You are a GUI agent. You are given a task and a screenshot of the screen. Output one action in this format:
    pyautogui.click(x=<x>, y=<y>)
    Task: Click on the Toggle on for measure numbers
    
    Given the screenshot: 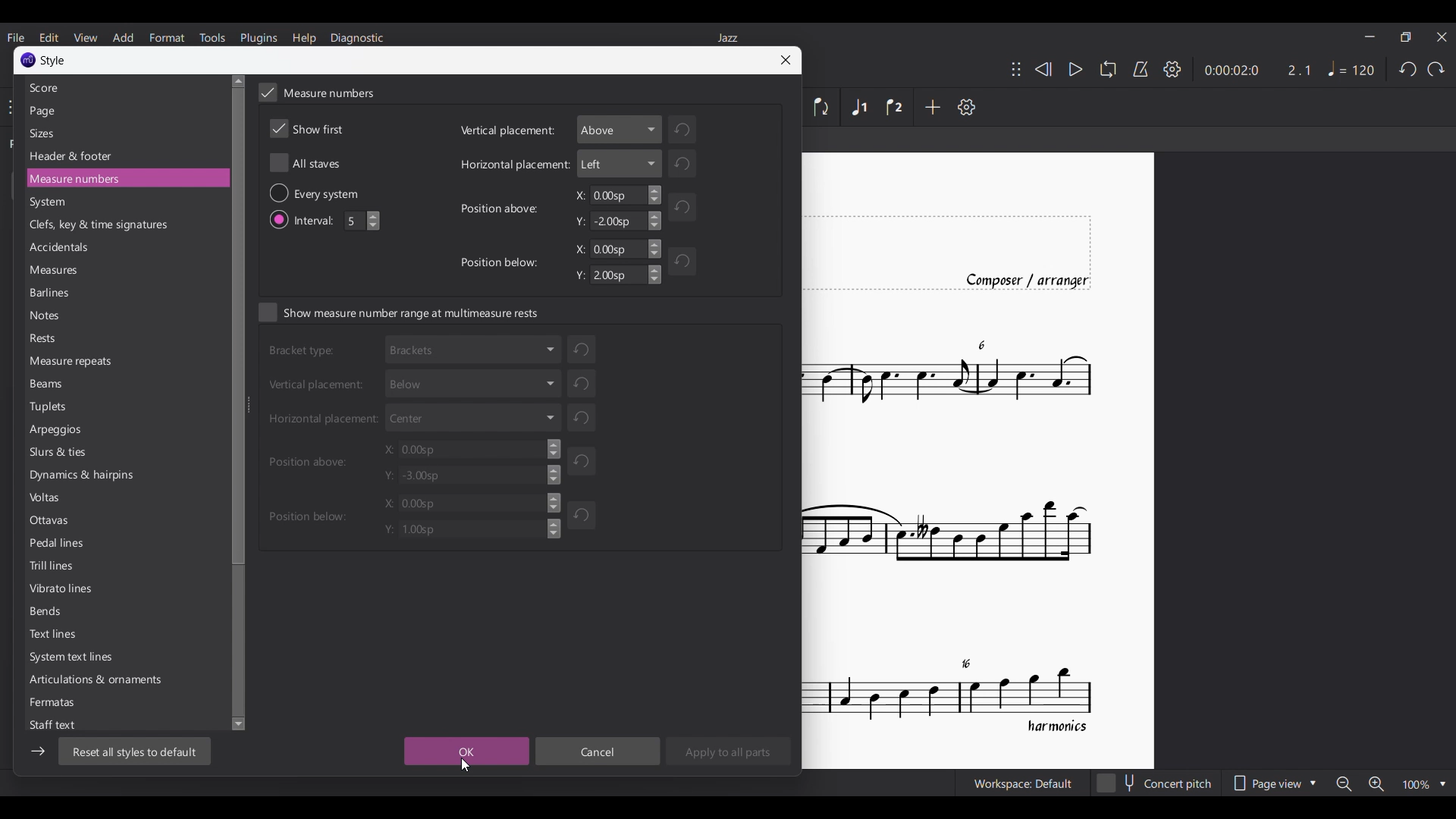 What is the action you would take?
    pyautogui.click(x=268, y=93)
    